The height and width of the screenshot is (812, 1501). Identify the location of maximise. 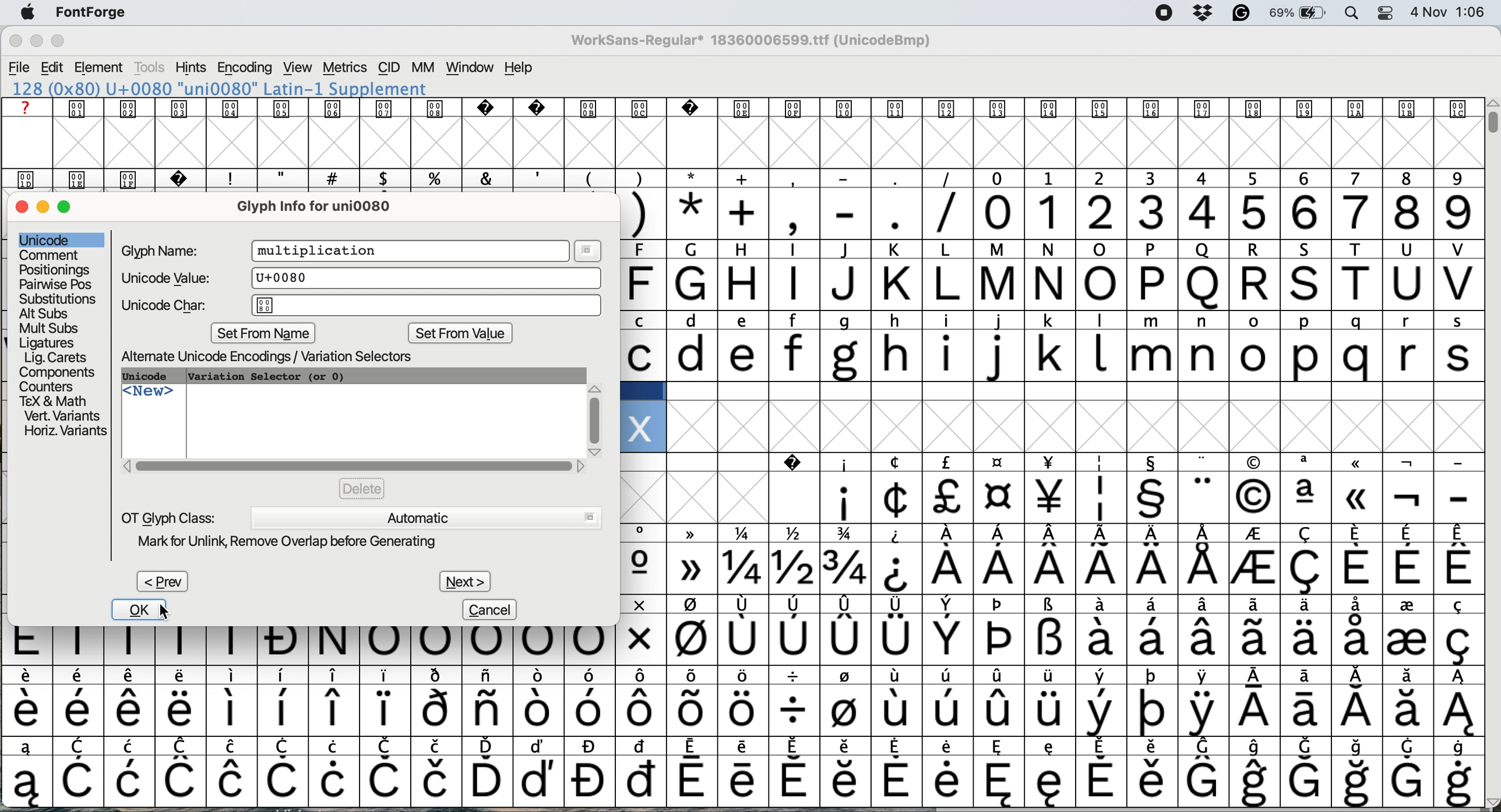
(65, 43).